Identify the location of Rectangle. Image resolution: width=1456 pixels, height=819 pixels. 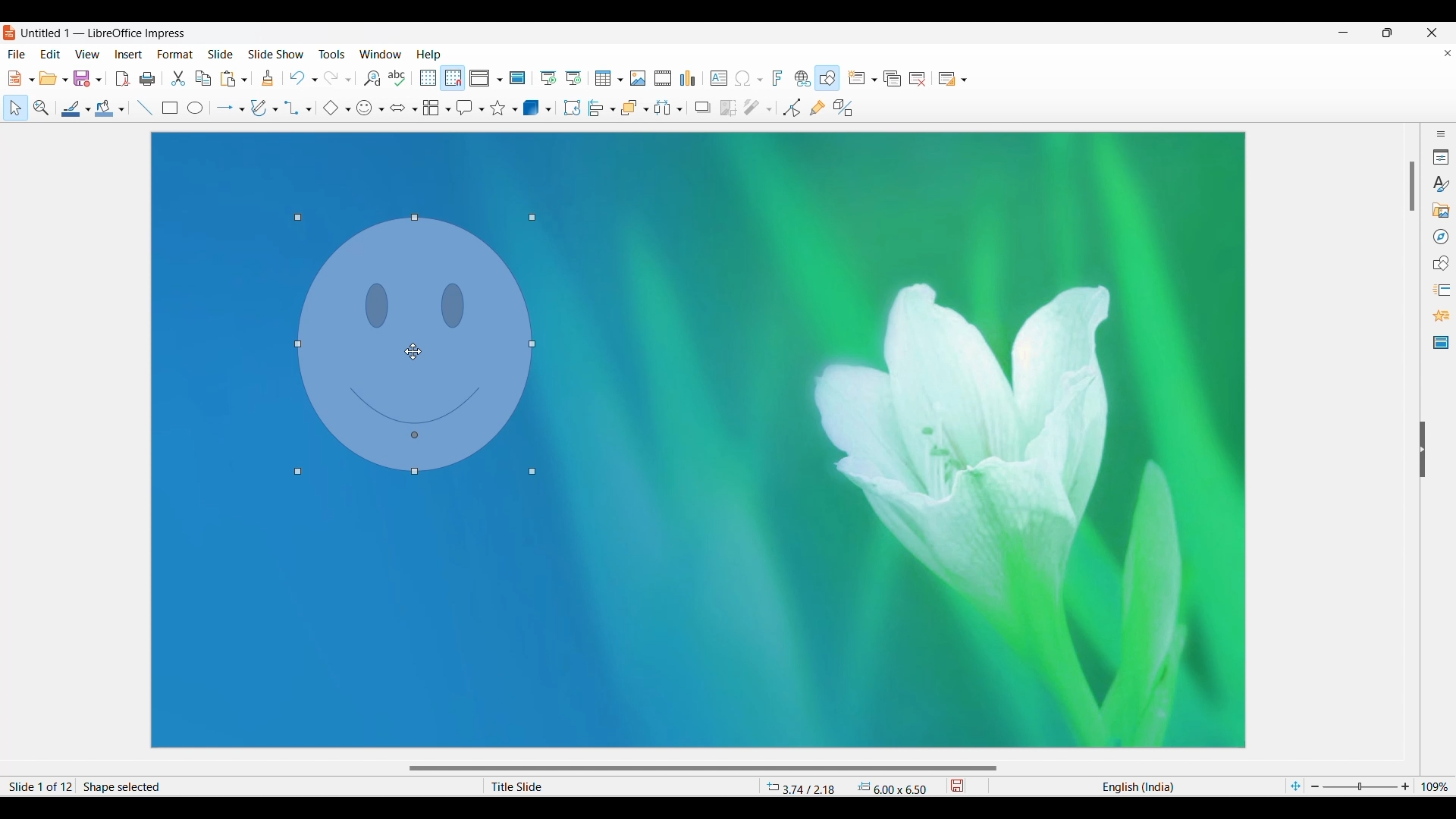
(170, 108).